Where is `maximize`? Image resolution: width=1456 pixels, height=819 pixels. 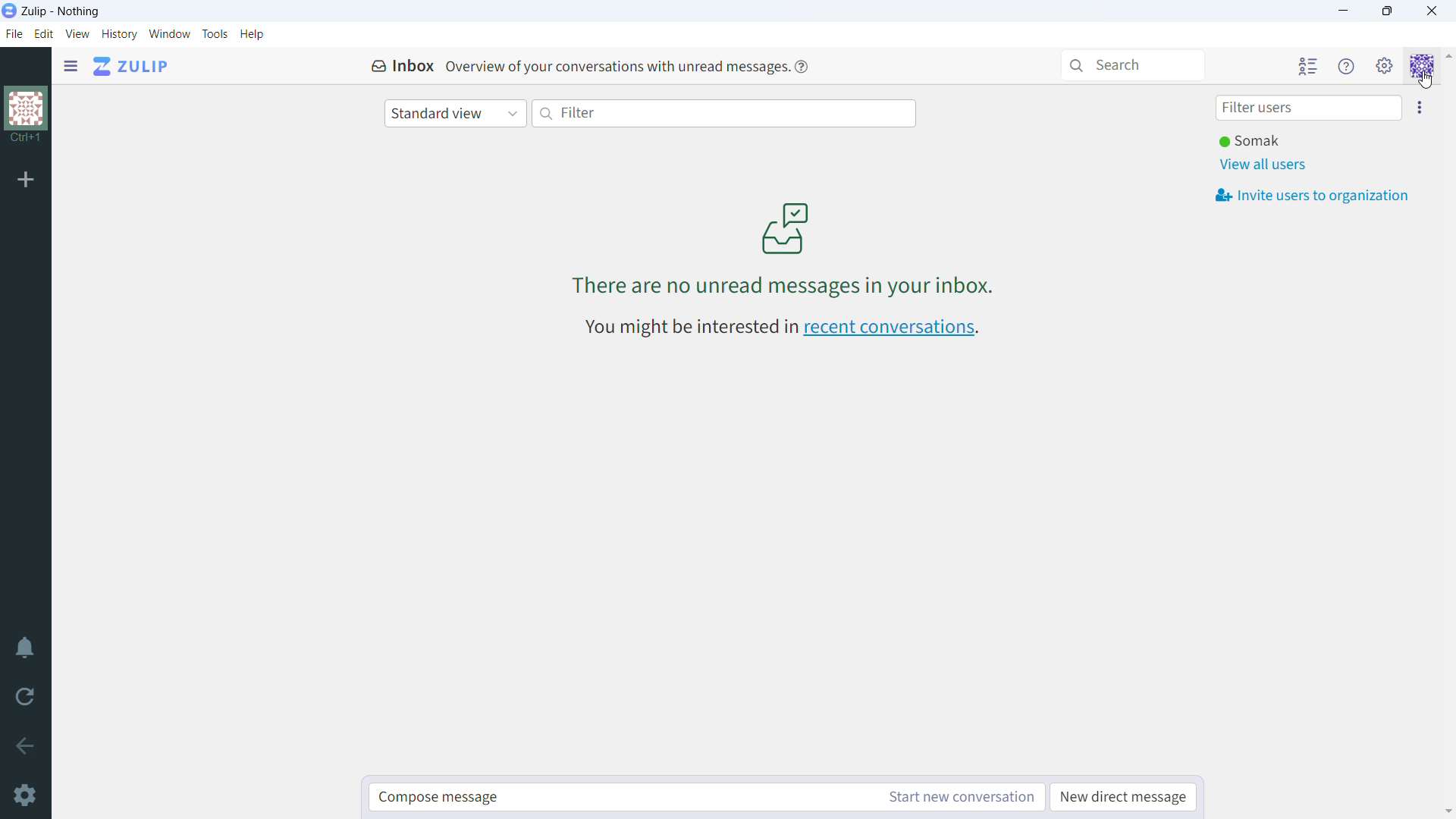 maximize is located at coordinates (1390, 11).